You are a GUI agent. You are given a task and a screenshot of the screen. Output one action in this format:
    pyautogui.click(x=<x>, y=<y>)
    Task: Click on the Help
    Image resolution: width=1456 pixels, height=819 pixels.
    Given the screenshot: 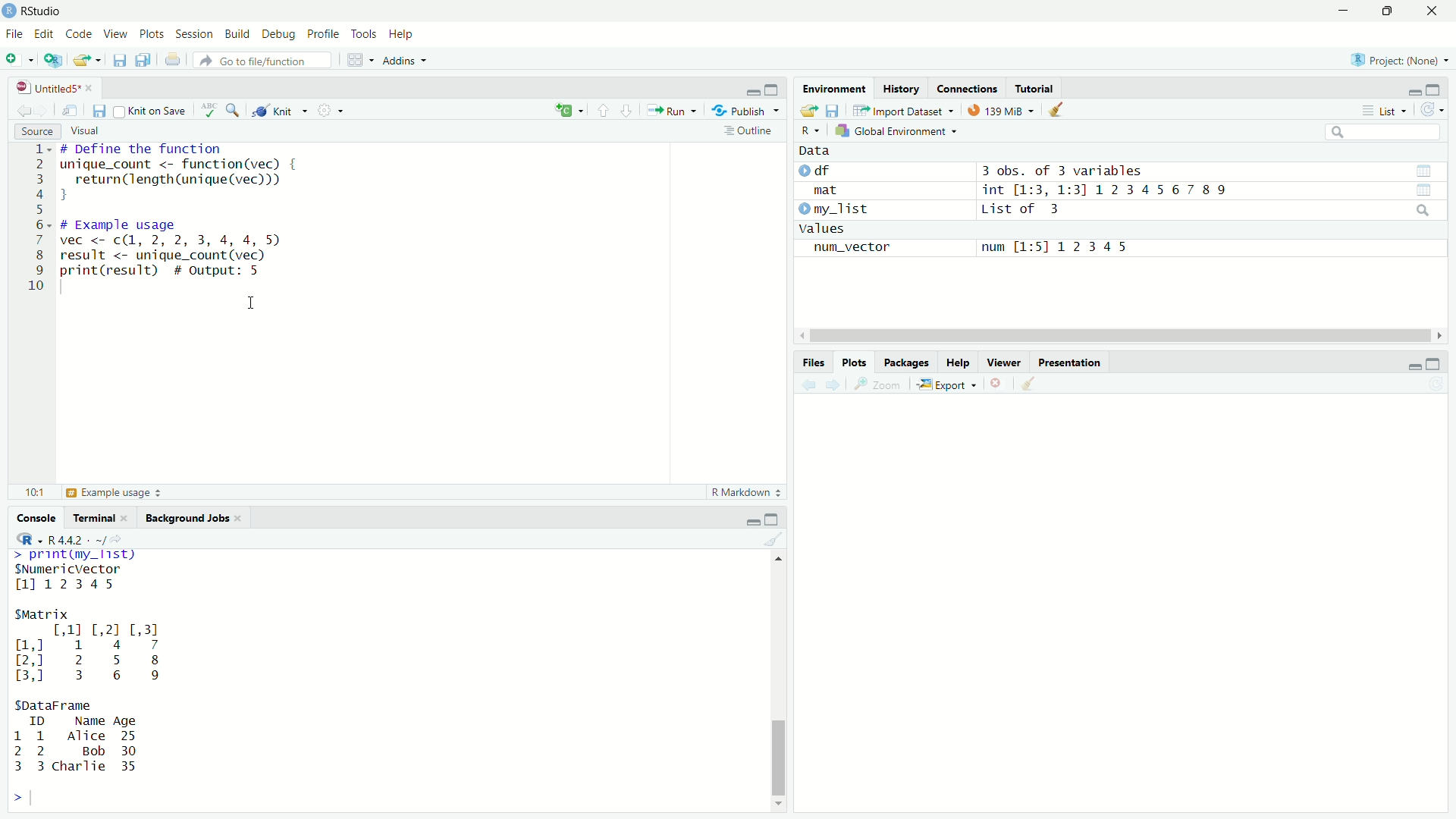 What is the action you would take?
    pyautogui.click(x=404, y=35)
    